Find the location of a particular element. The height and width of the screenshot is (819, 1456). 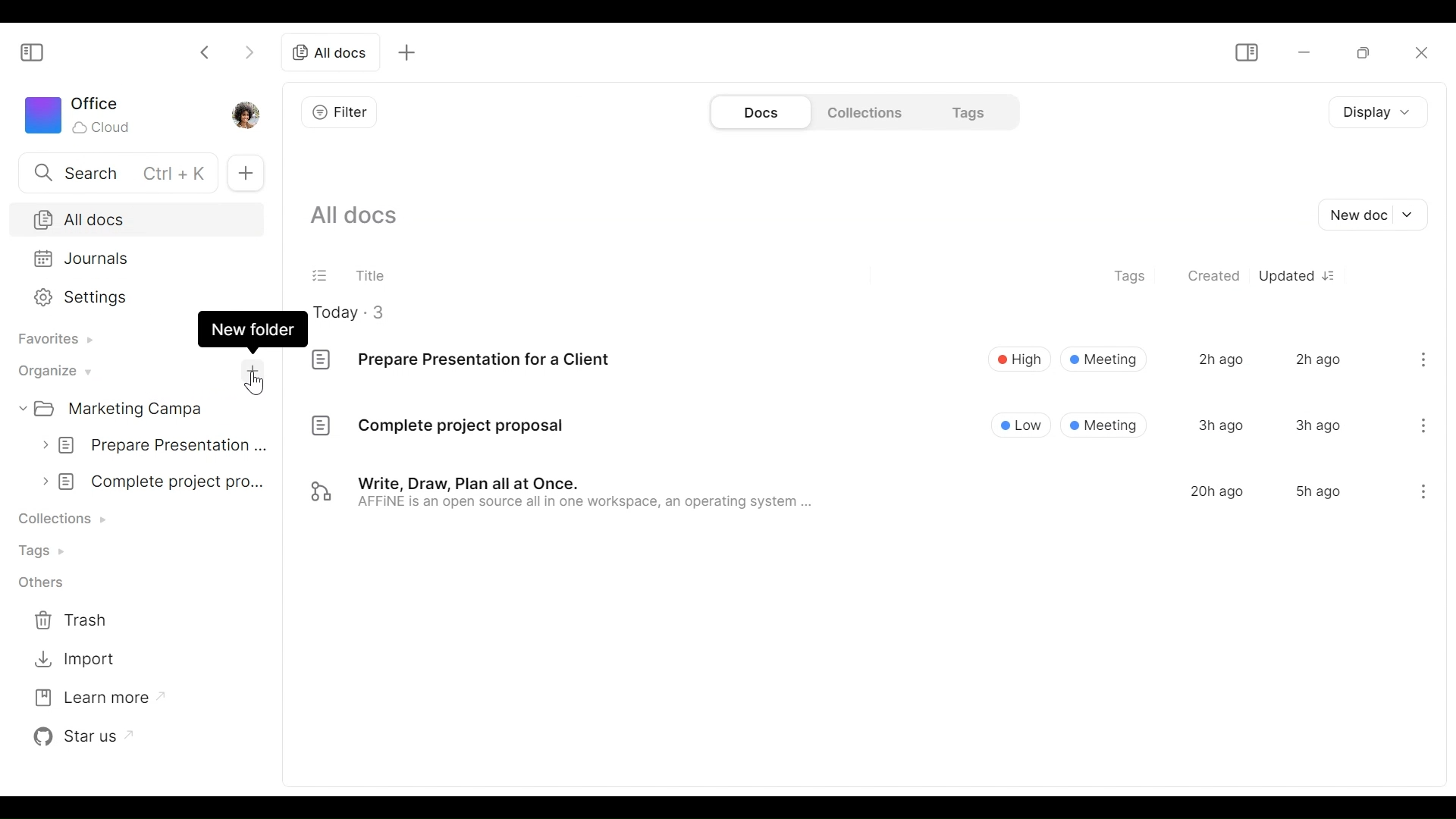

Tags is located at coordinates (1132, 278).